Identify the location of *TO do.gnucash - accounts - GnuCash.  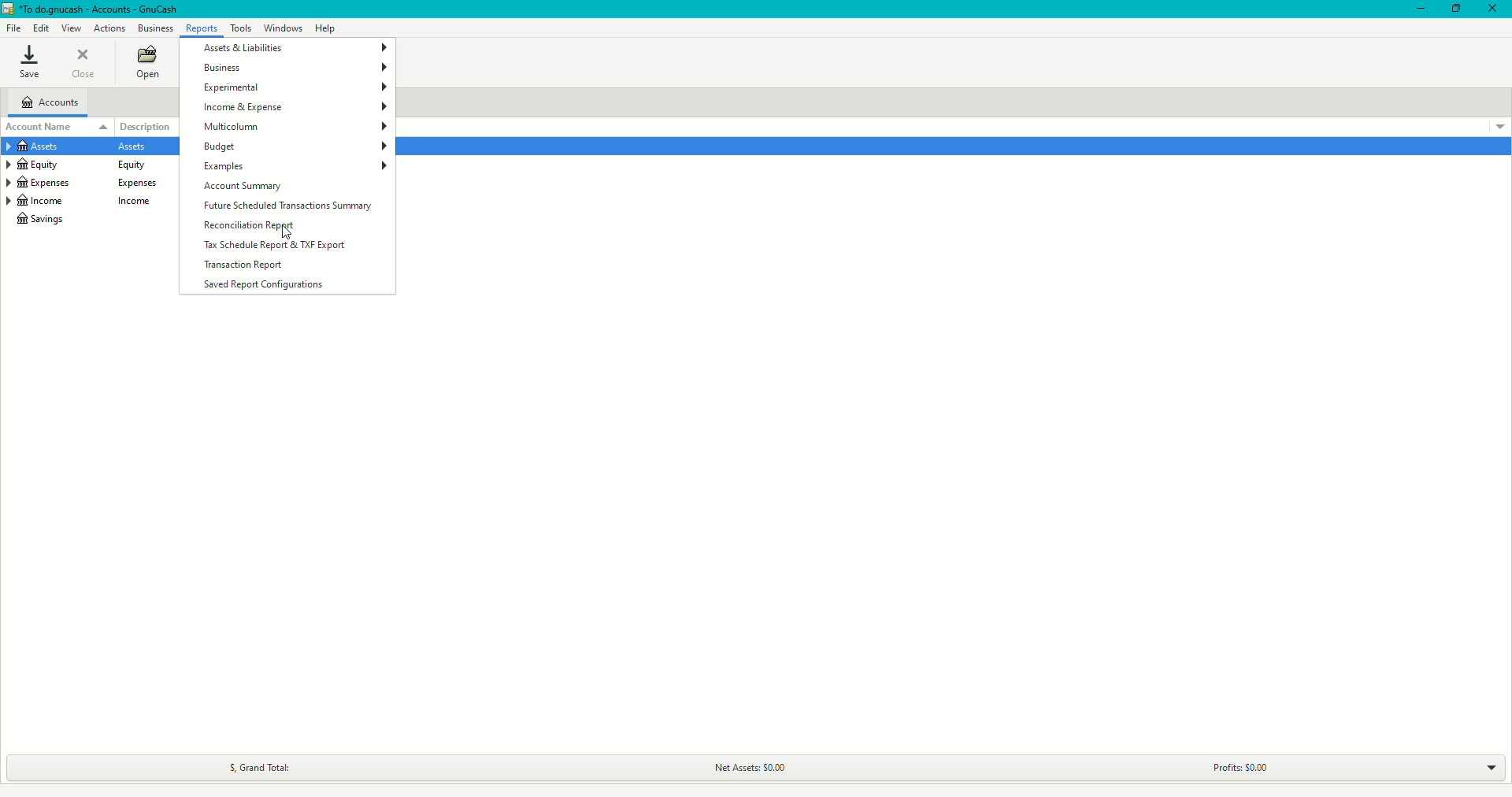
(104, 10).